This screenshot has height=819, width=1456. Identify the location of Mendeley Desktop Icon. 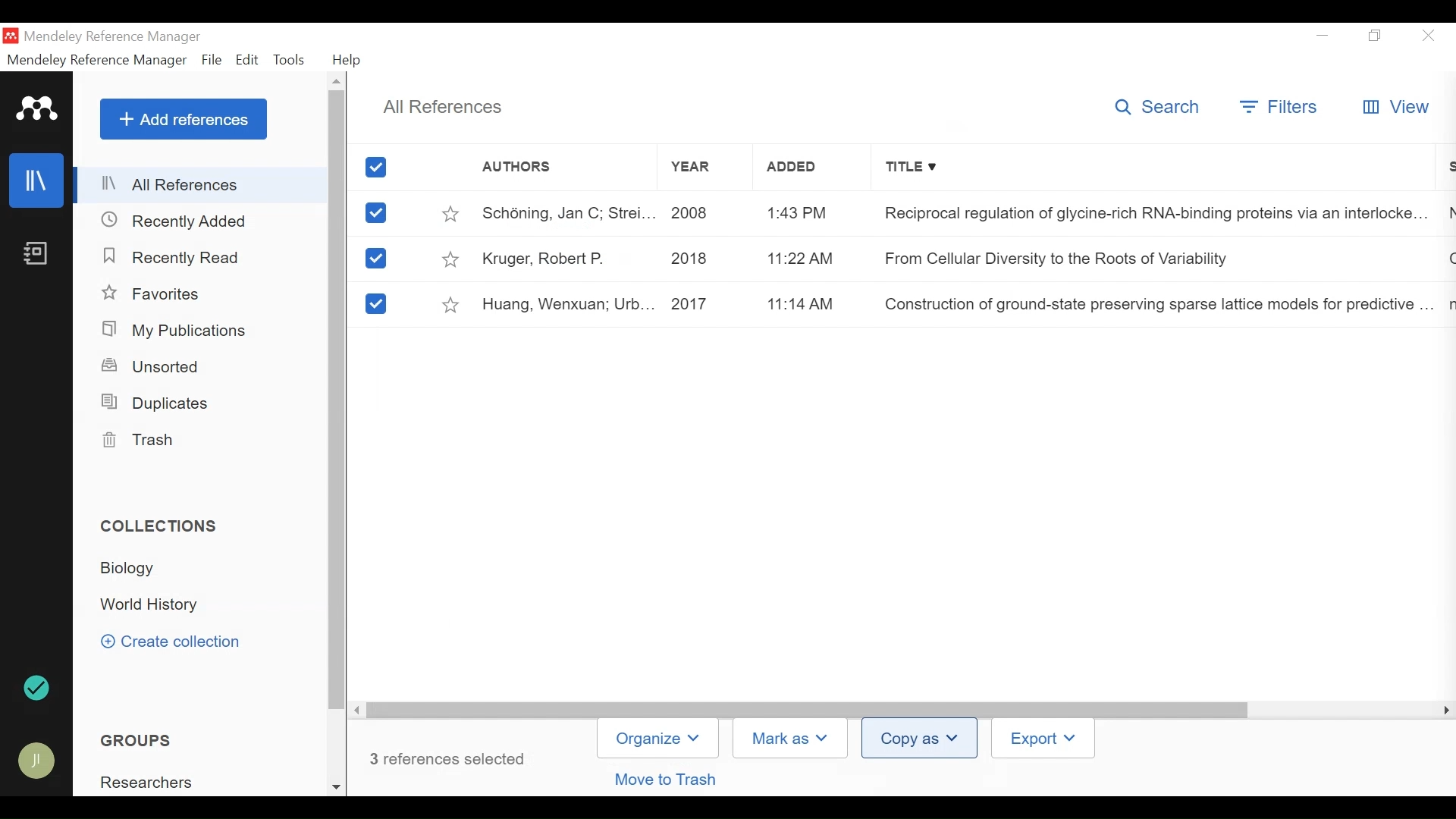
(11, 36).